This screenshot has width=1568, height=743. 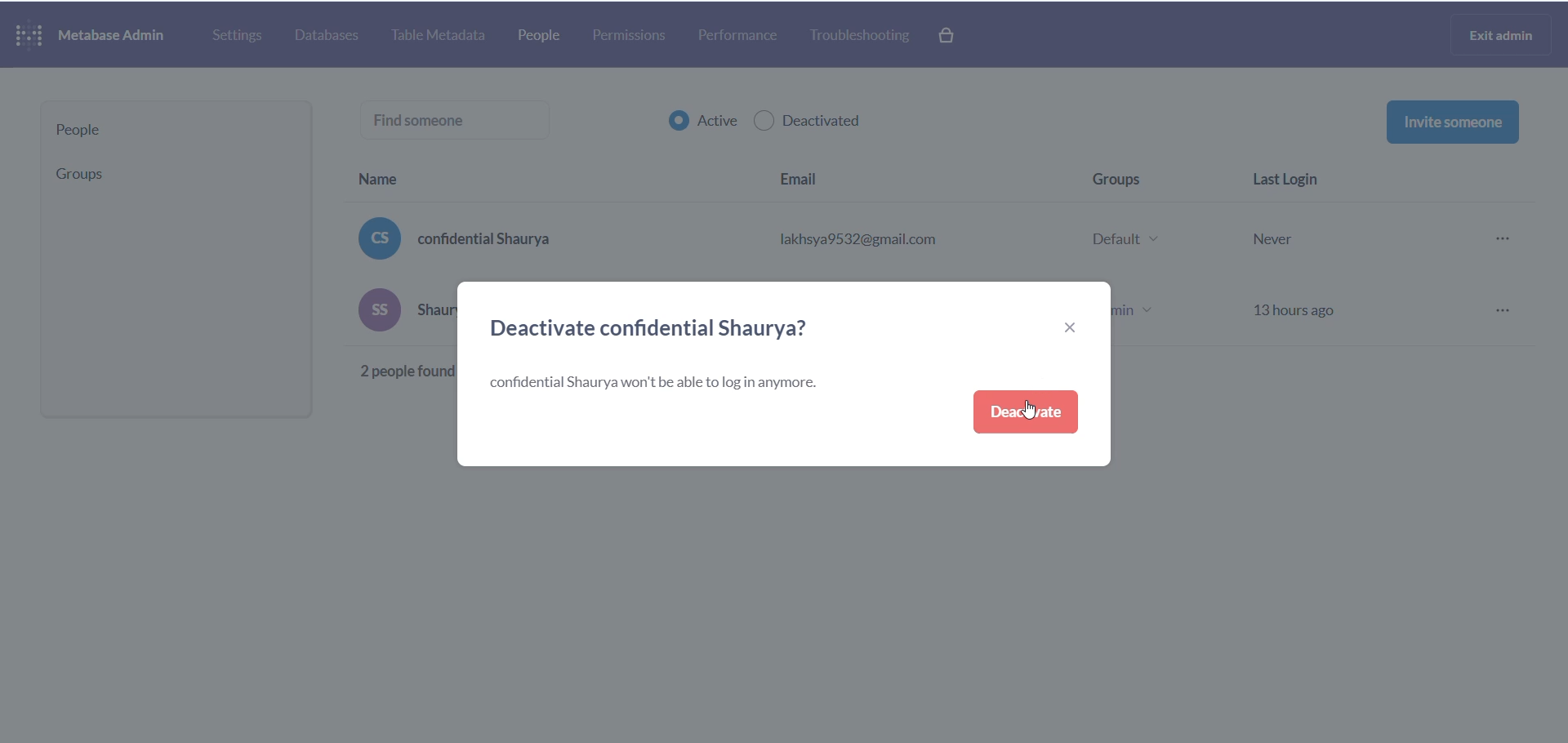 I want to click on deactivated checkbox, so click(x=822, y=121).